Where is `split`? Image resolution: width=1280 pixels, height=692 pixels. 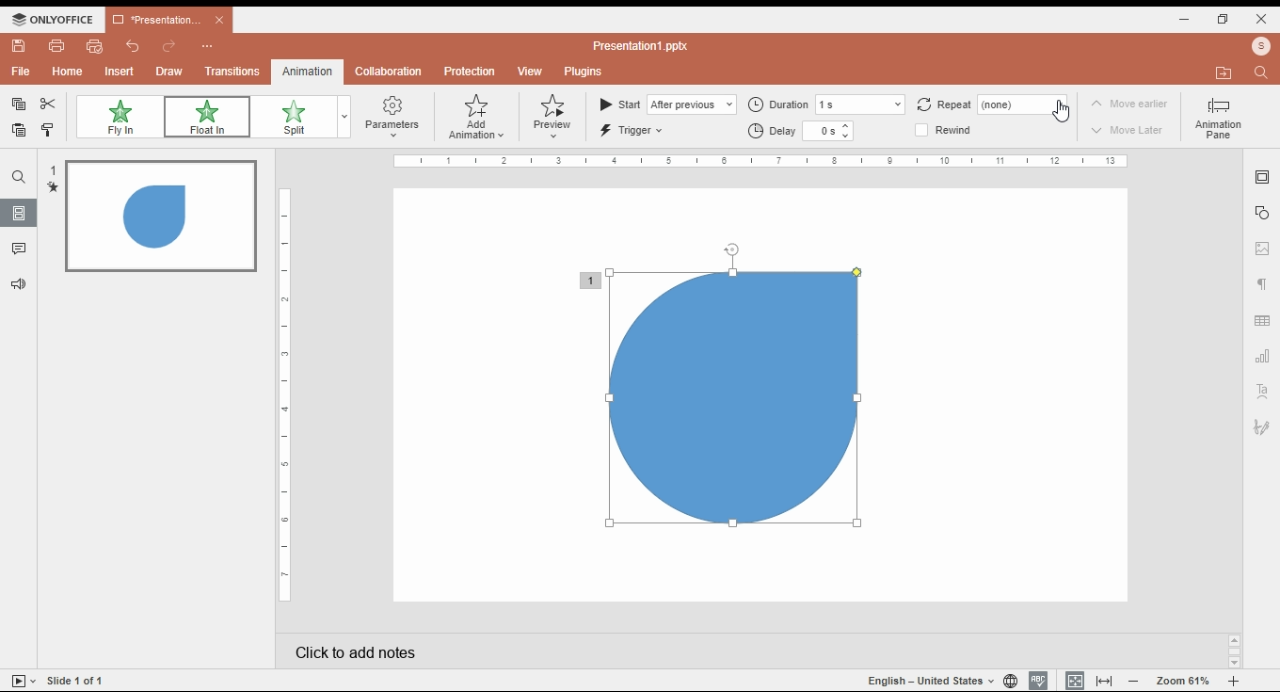
split is located at coordinates (292, 118).